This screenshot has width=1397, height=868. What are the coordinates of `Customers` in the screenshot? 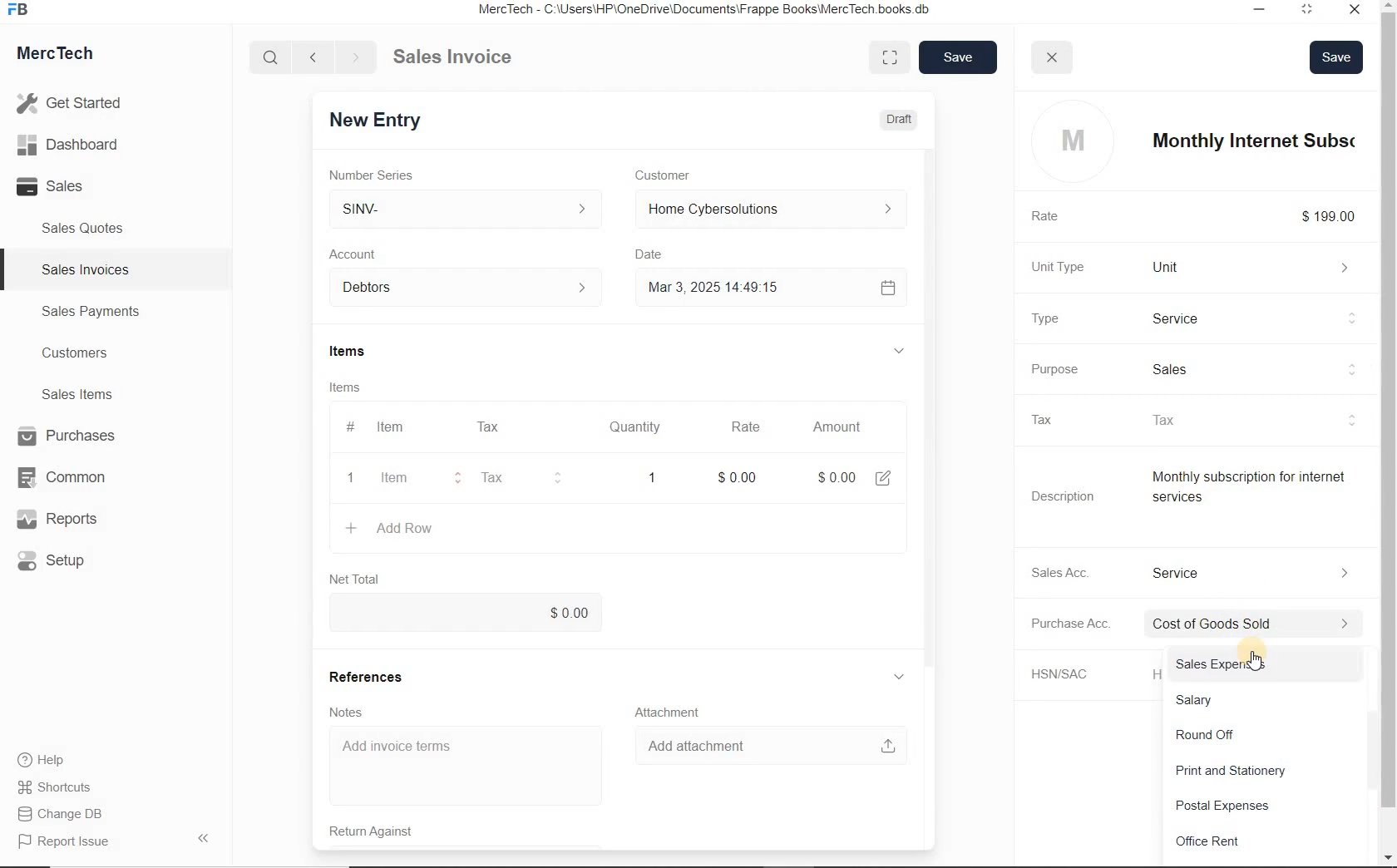 It's located at (90, 353).